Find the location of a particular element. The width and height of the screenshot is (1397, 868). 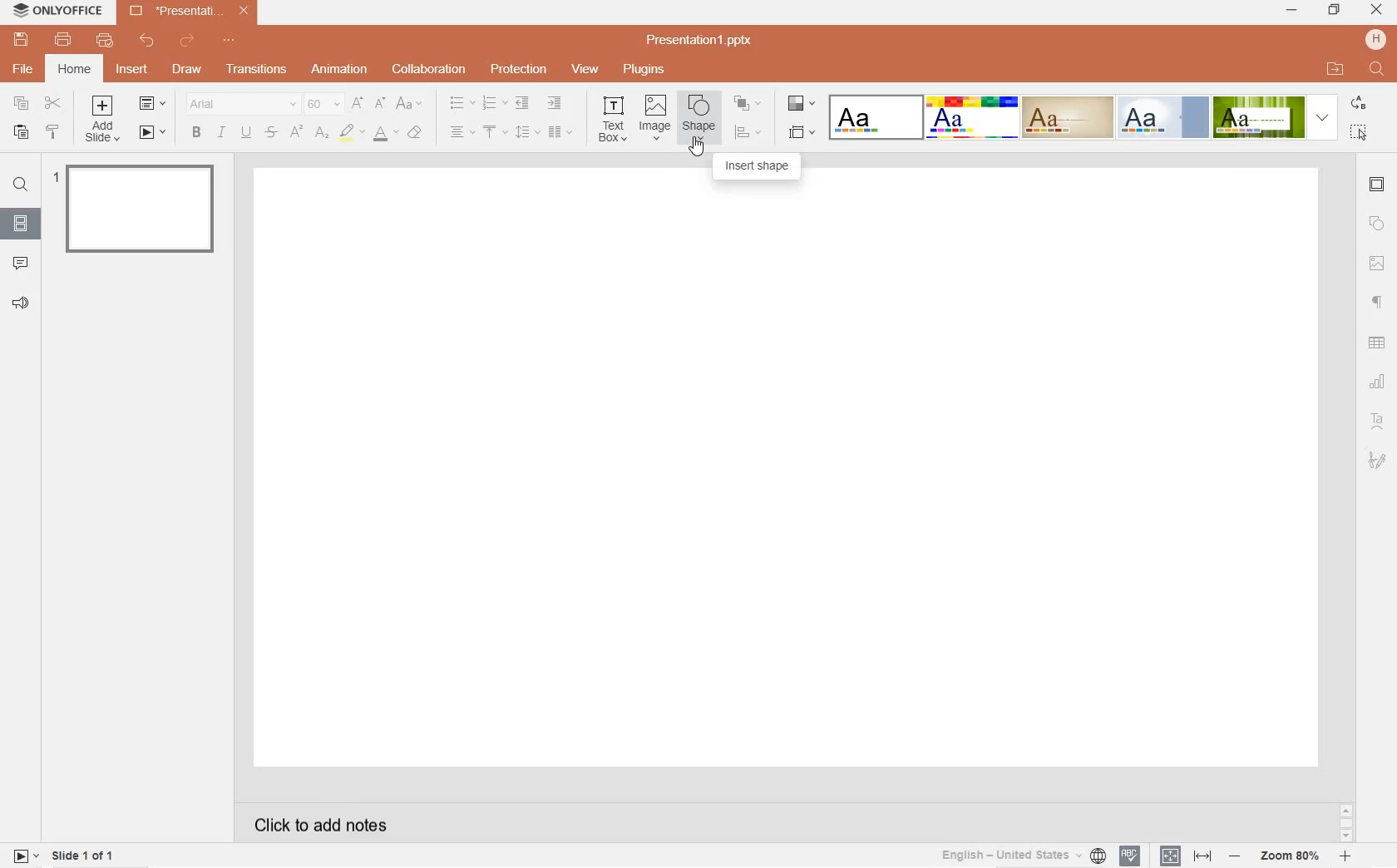

HP is located at coordinates (1375, 39).